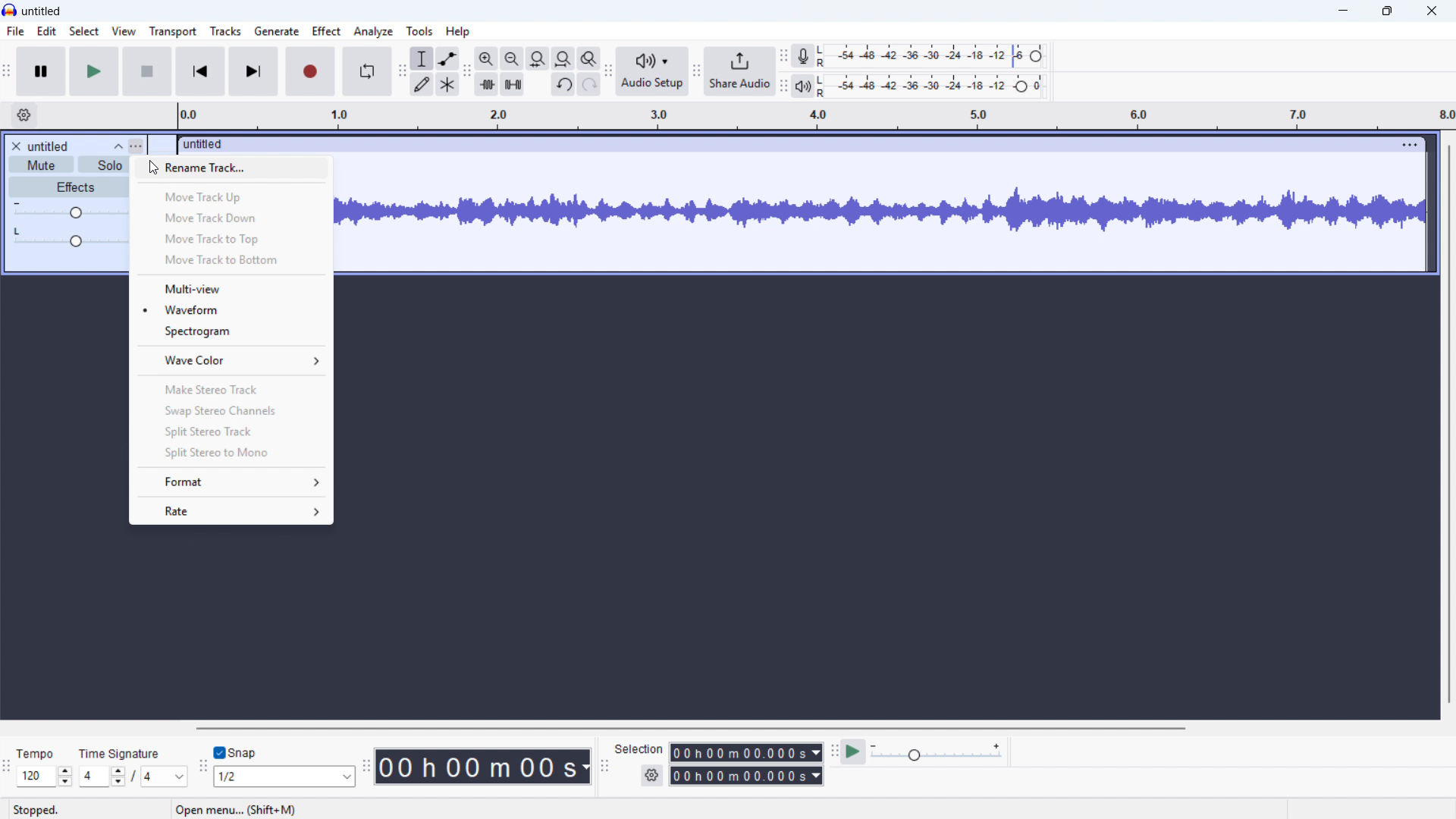  I want to click on Move track to top , so click(233, 238).